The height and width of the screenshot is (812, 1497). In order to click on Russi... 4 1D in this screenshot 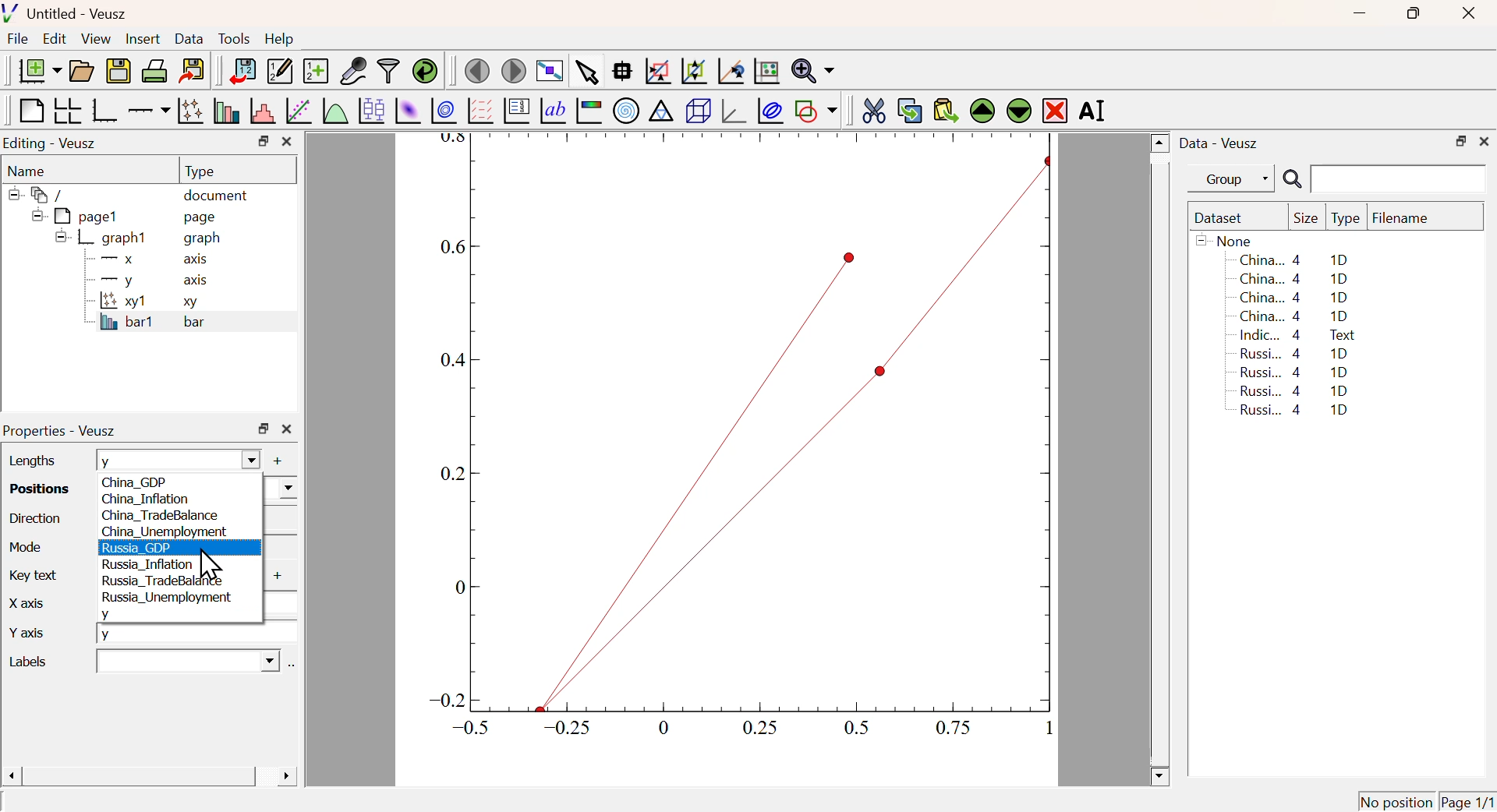, I will do `click(1291, 390)`.